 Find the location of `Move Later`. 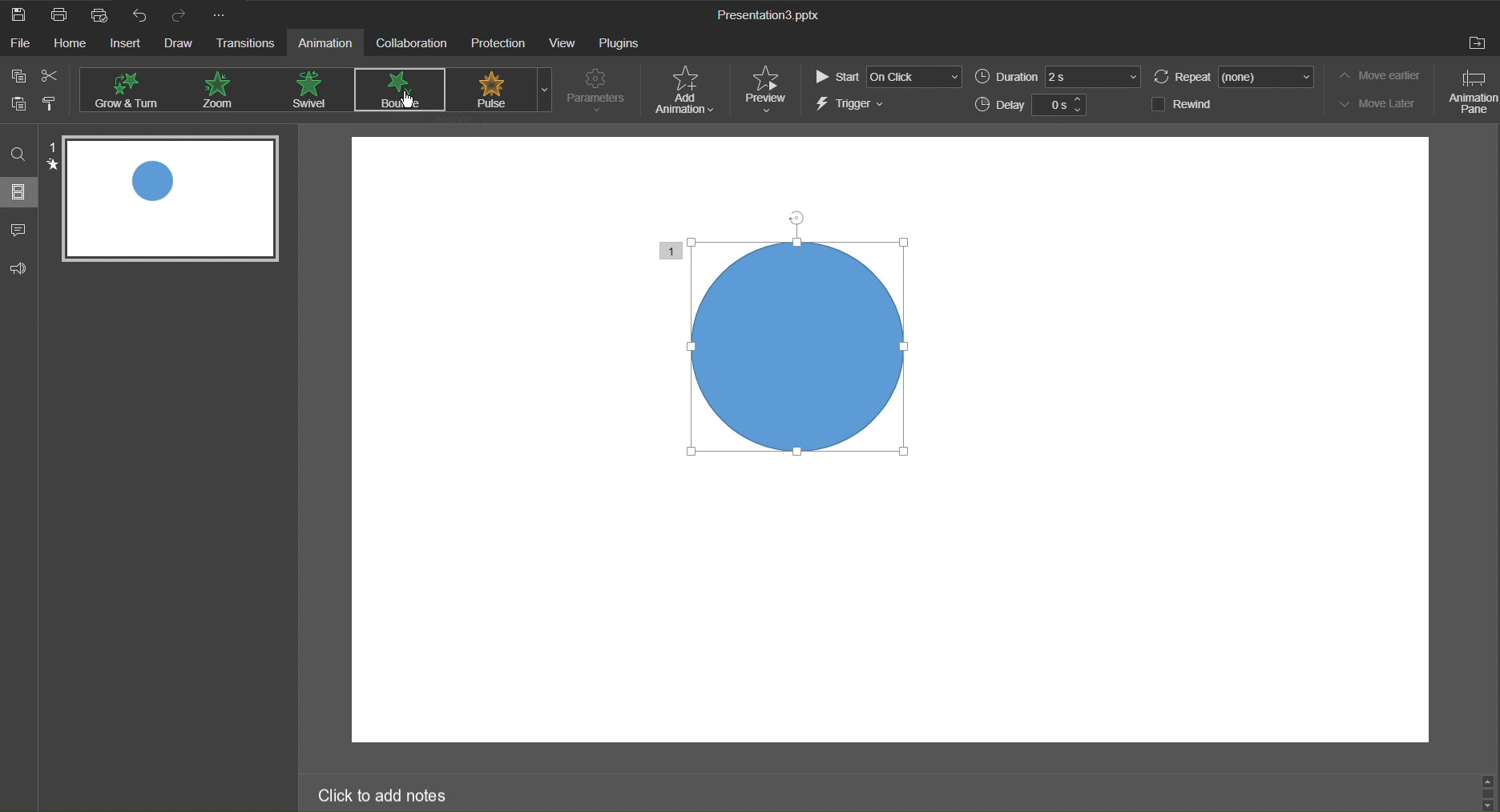

Move Later is located at coordinates (1384, 103).